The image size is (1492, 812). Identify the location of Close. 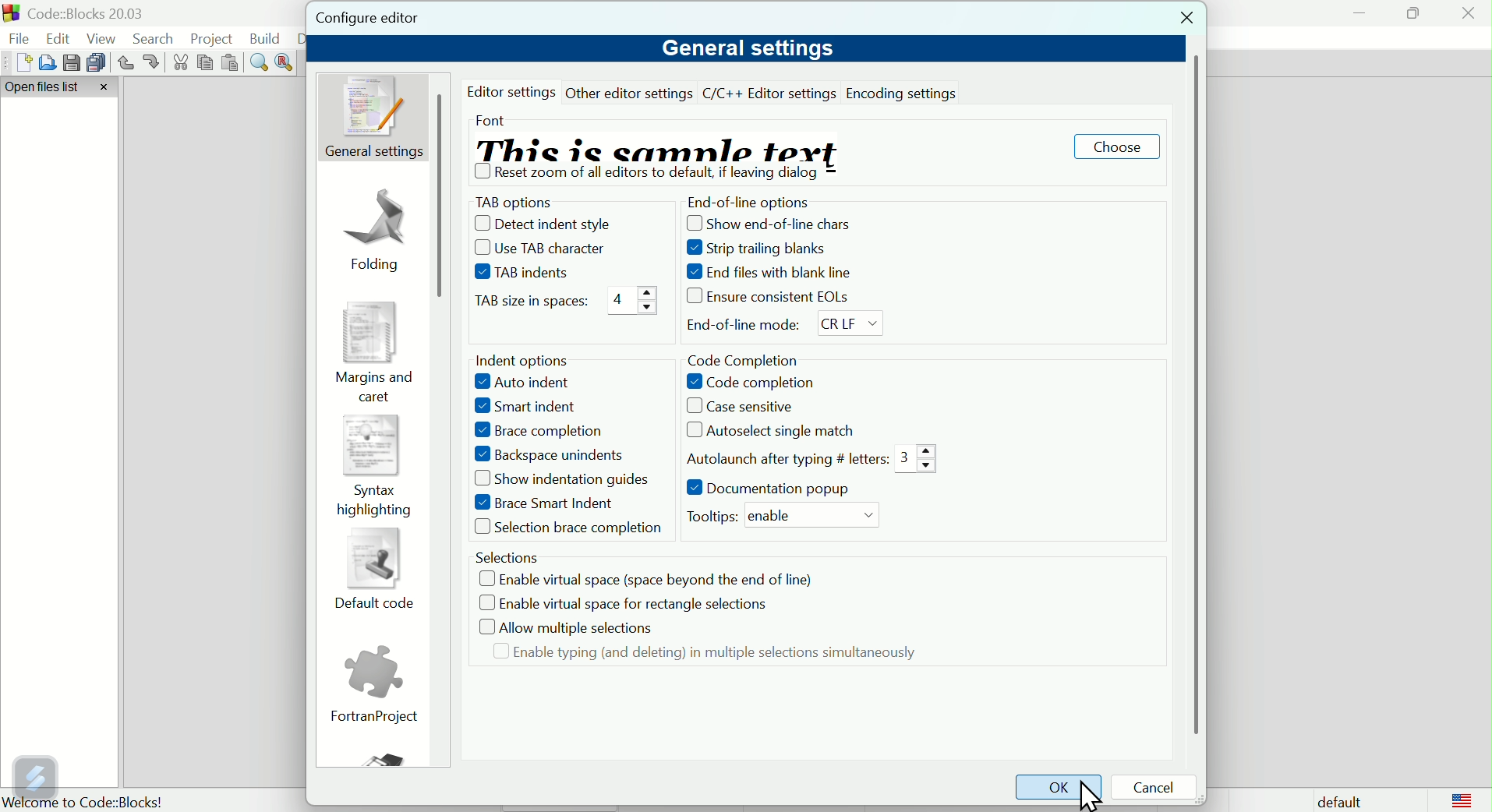
(1469, 17).